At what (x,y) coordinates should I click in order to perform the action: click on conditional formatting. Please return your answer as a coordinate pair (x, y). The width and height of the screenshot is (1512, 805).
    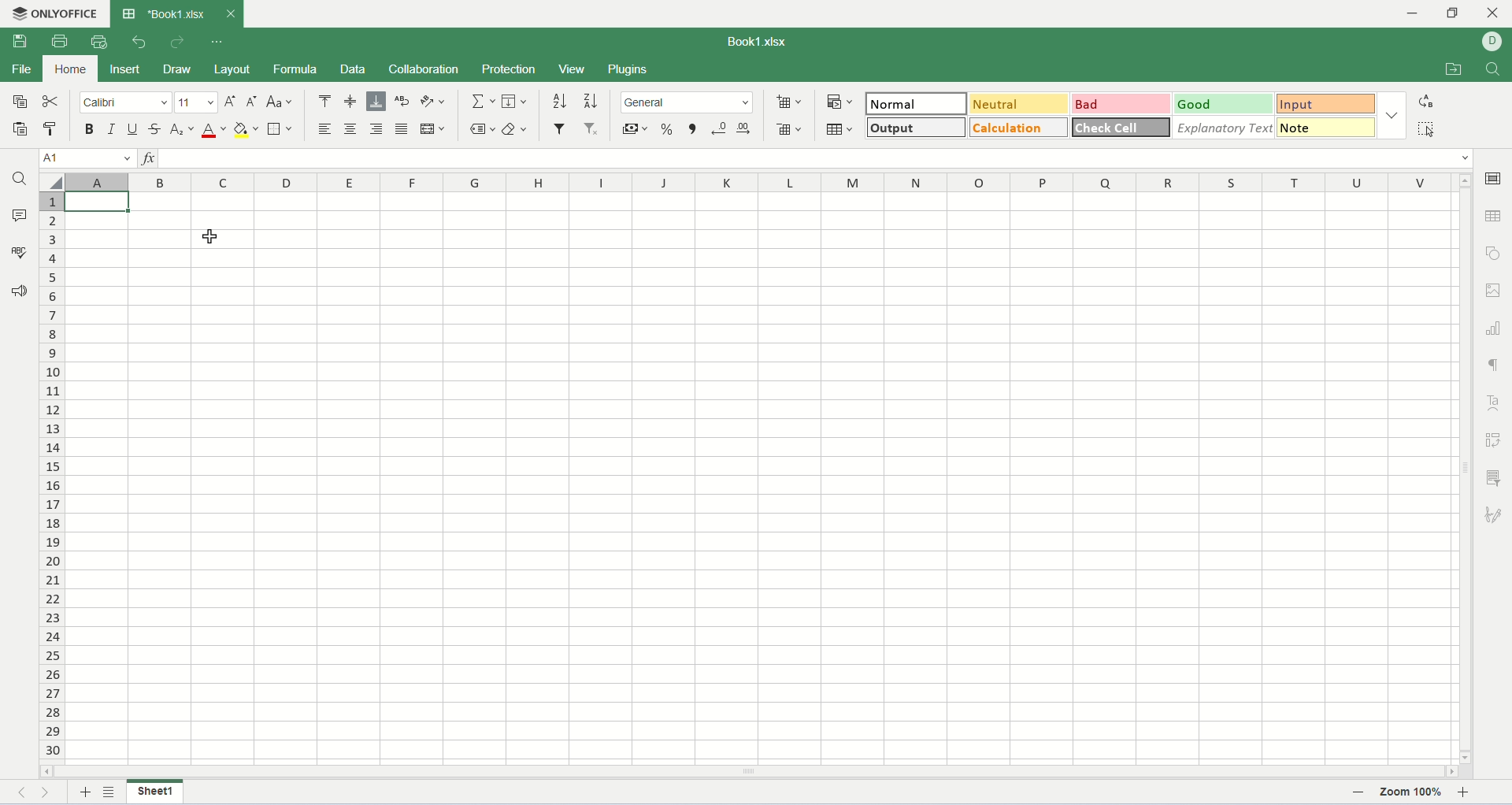
    Looking at the image, I should click on (841, 102).